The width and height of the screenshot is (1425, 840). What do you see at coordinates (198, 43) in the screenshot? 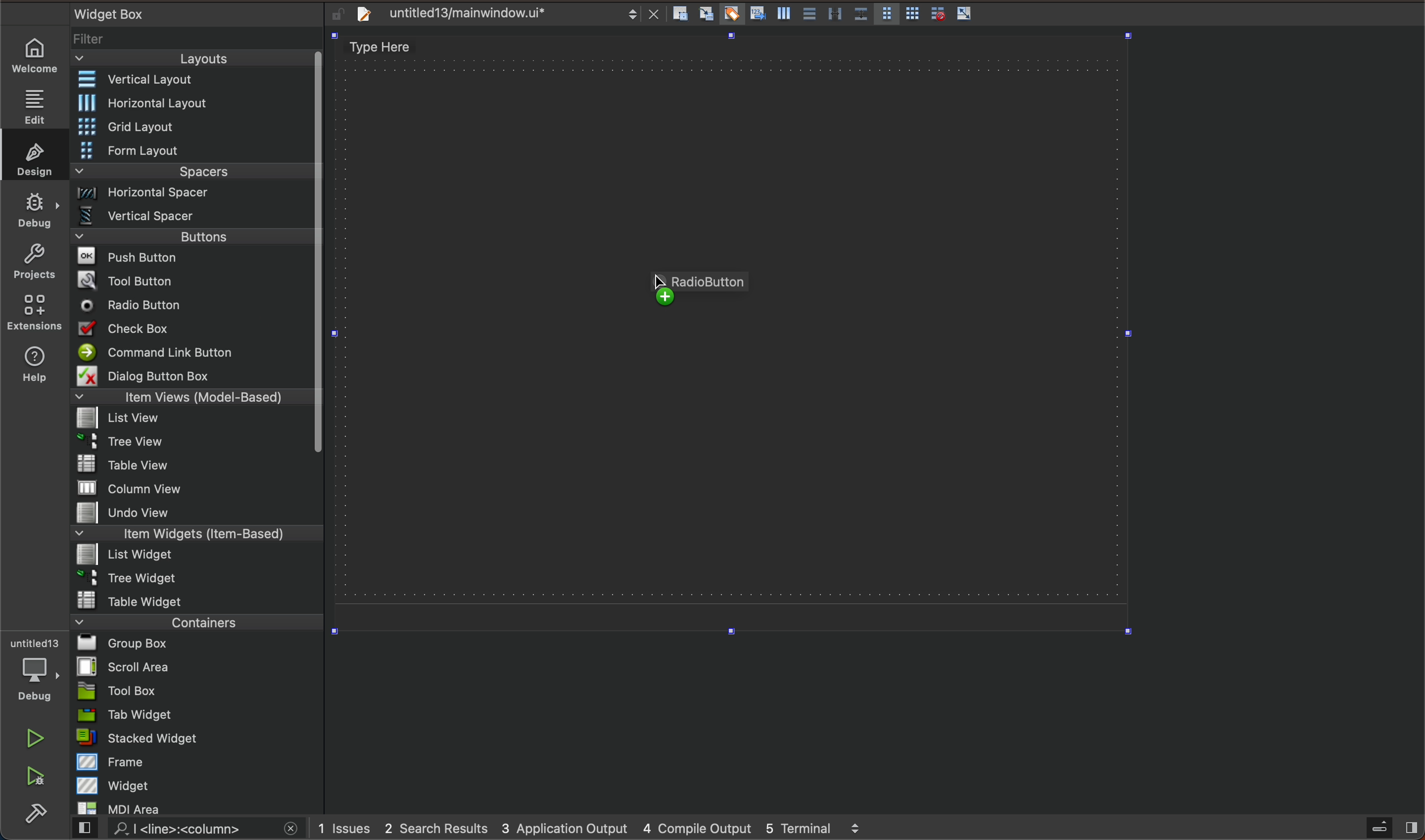
I see `filter` at bounding box center [198, 43].